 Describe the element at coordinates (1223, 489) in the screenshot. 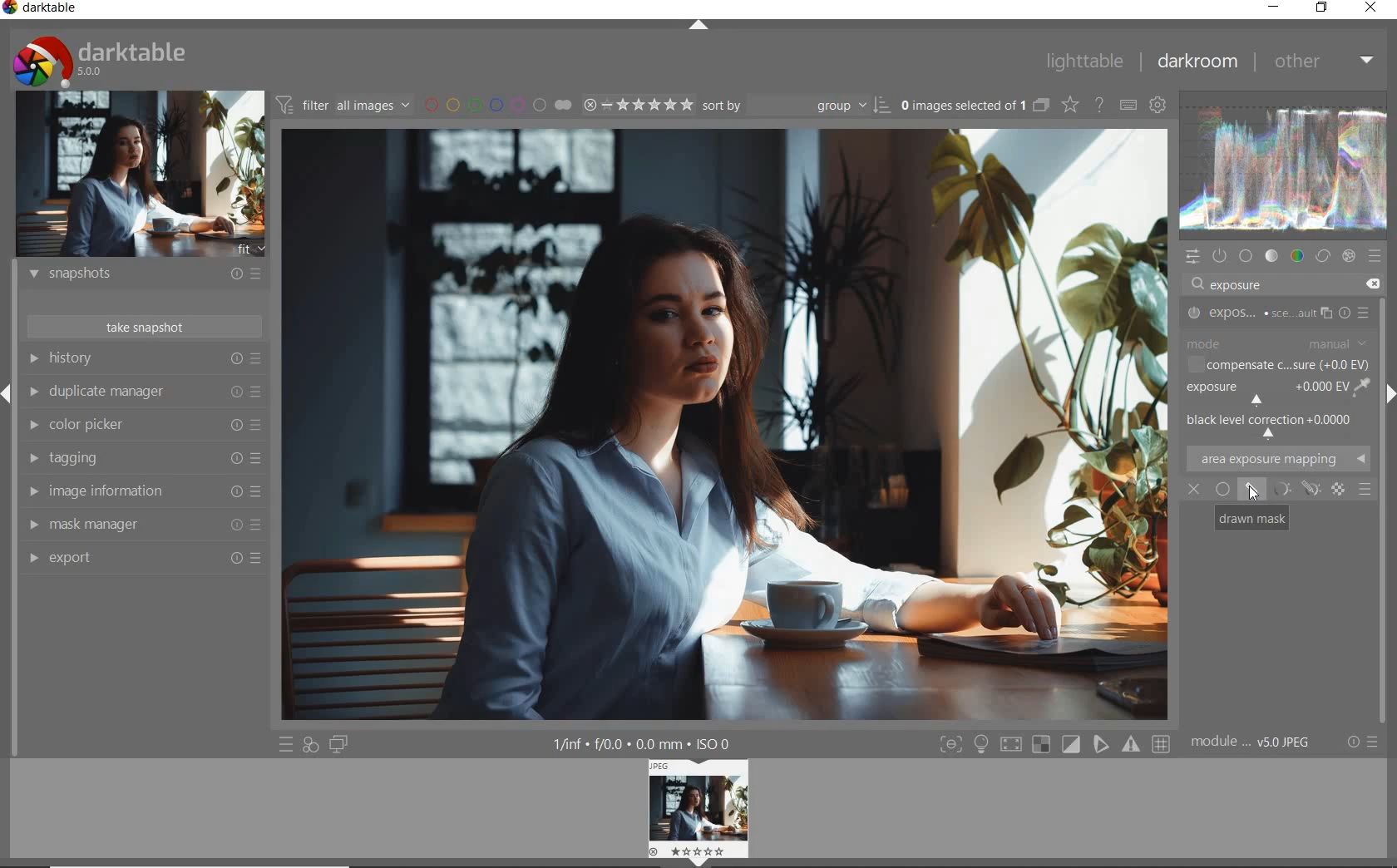

I see `UNIFORMLY` at that location.